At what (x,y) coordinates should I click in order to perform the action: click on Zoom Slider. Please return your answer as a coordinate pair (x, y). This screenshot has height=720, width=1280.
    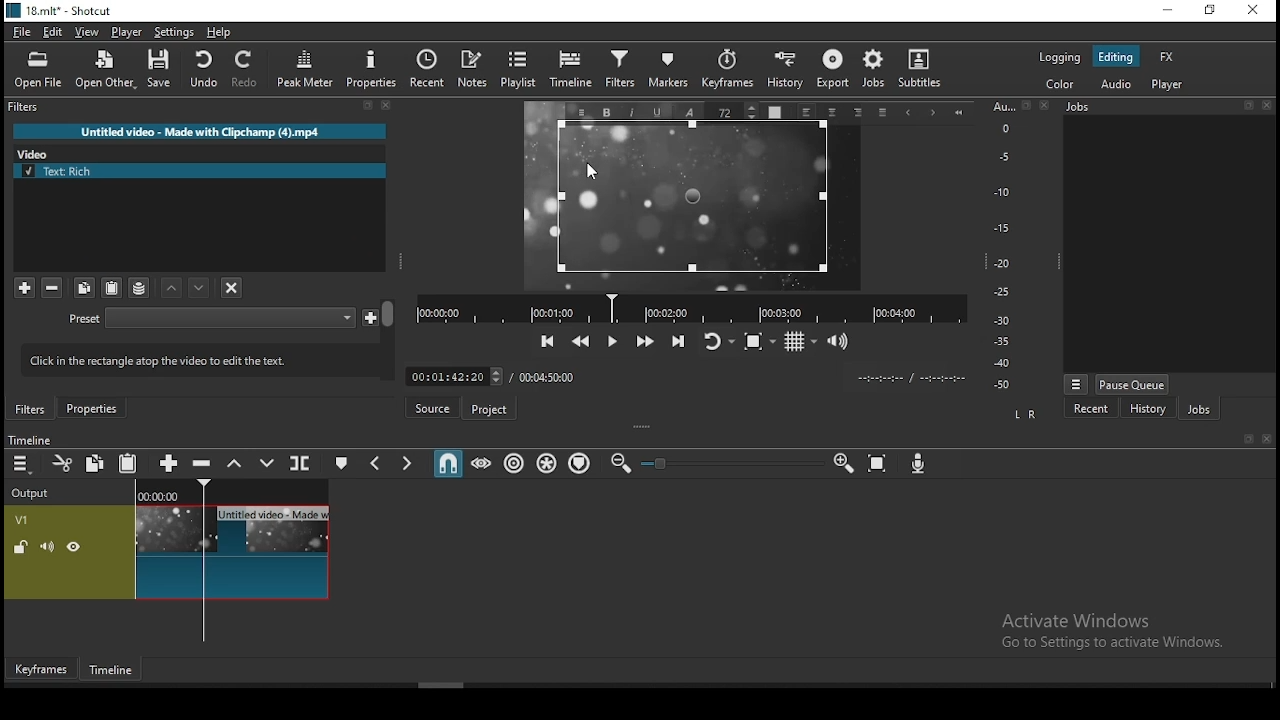
    Looking at the image, I should click on (732, 464).